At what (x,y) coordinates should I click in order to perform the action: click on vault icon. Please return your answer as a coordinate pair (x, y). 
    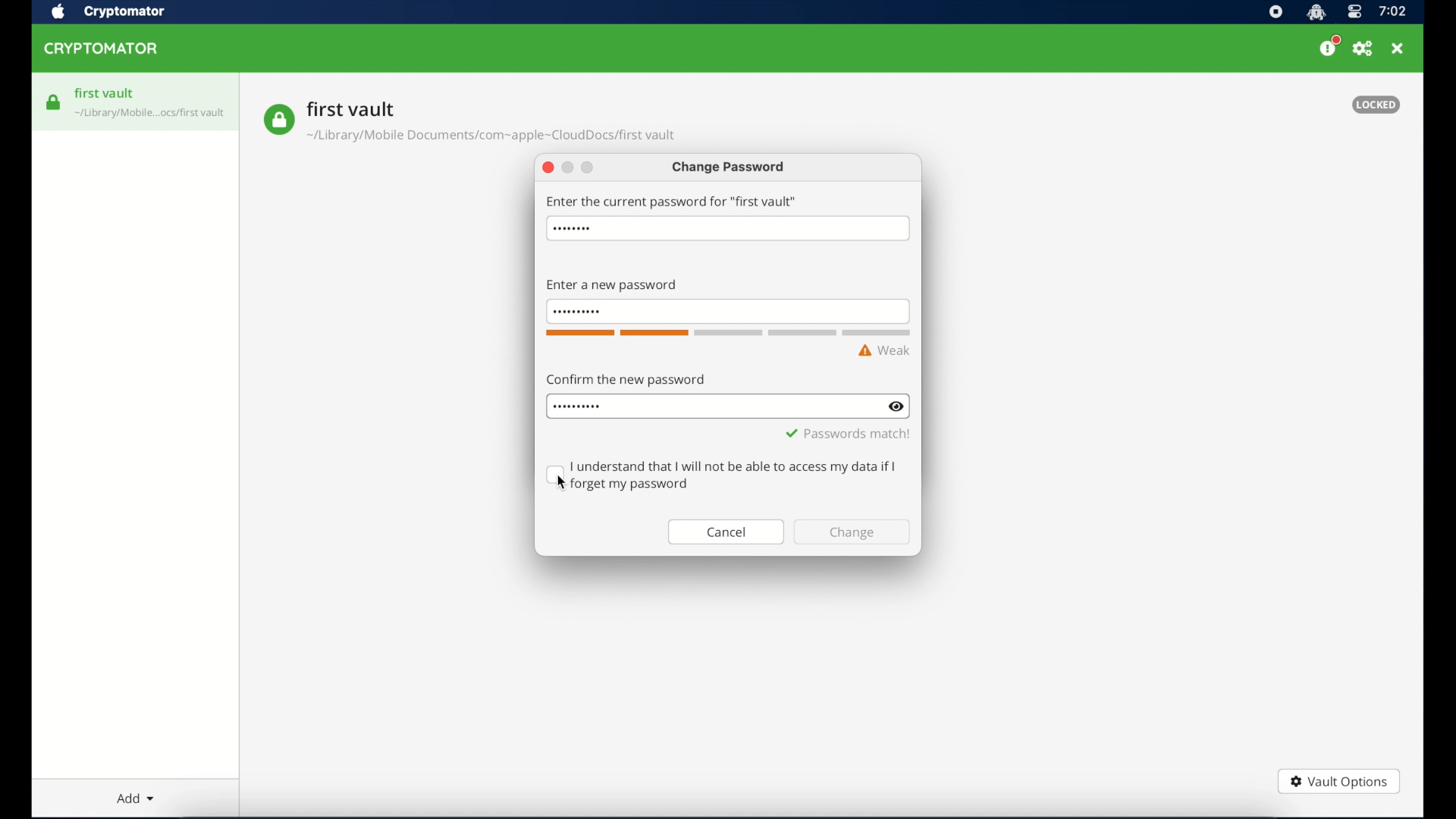
    Looking at the image, I should click on (278, 120).